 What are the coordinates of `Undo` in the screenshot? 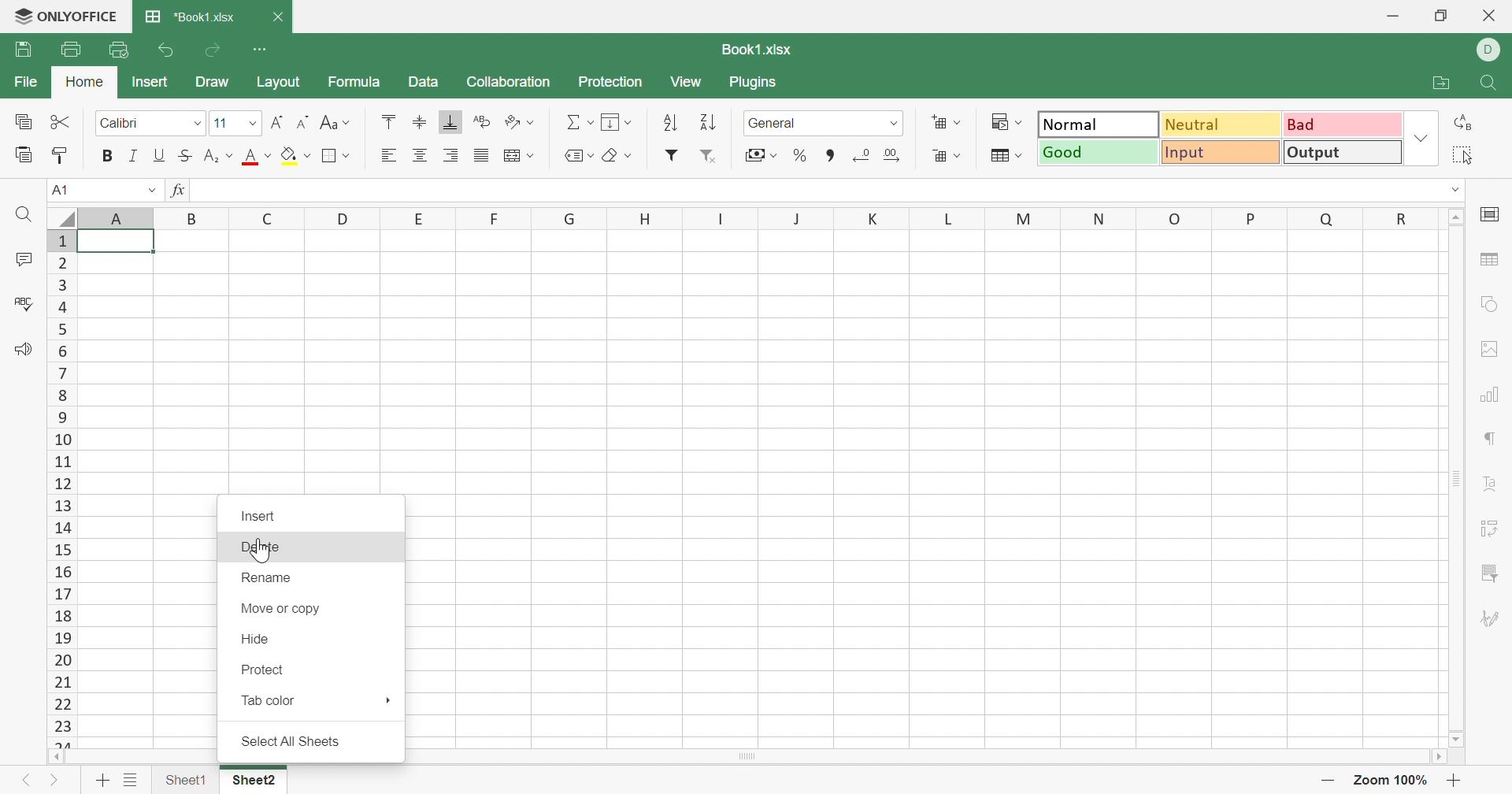 It's located at (169, 50).